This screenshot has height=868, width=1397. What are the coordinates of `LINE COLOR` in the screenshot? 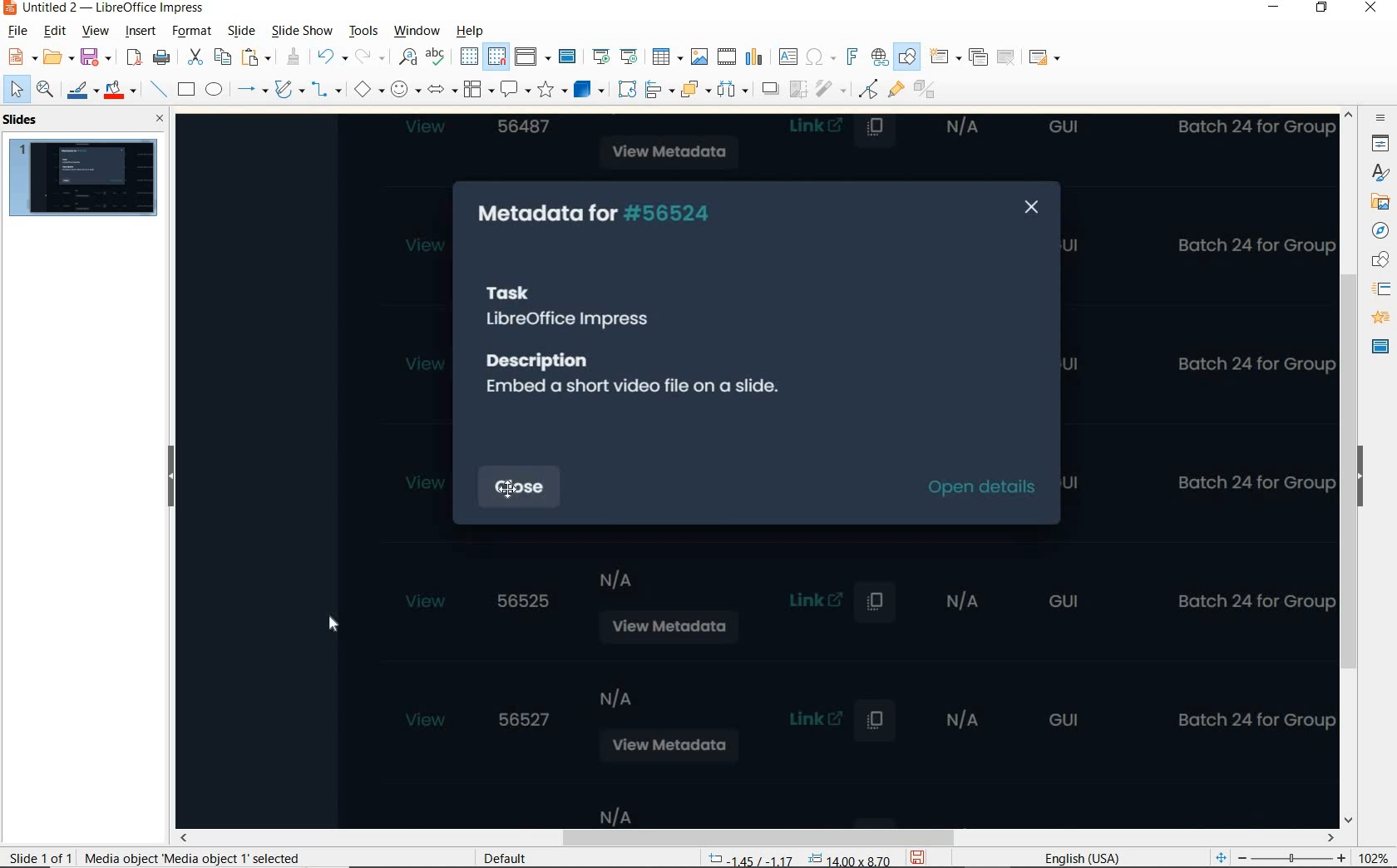 It's located at (81, 91).